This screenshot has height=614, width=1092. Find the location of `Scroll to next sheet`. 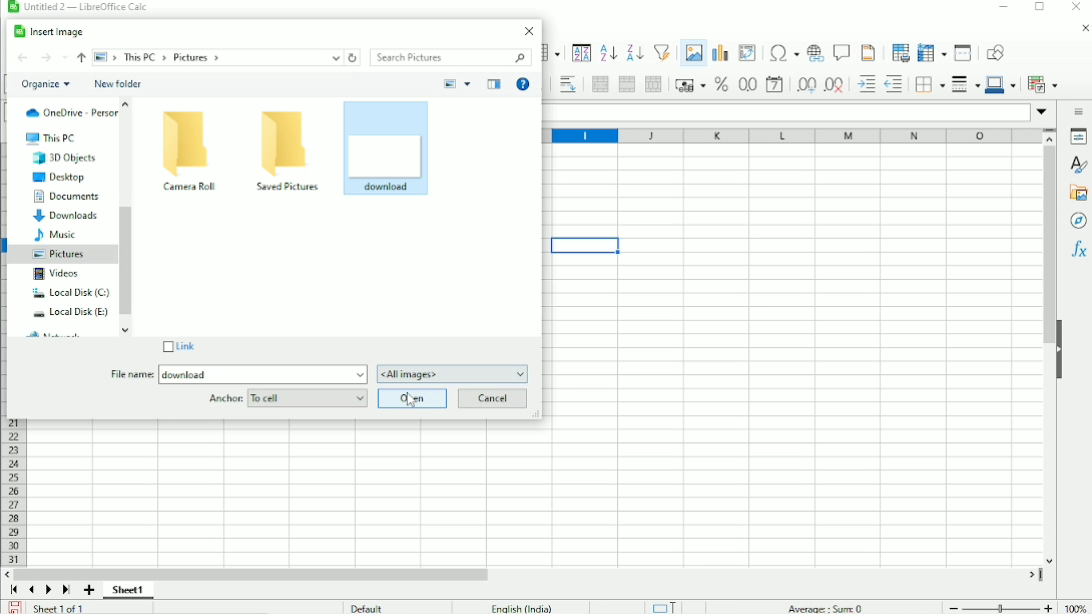

Scroll to next sheet is located at coordinates (49, 590).